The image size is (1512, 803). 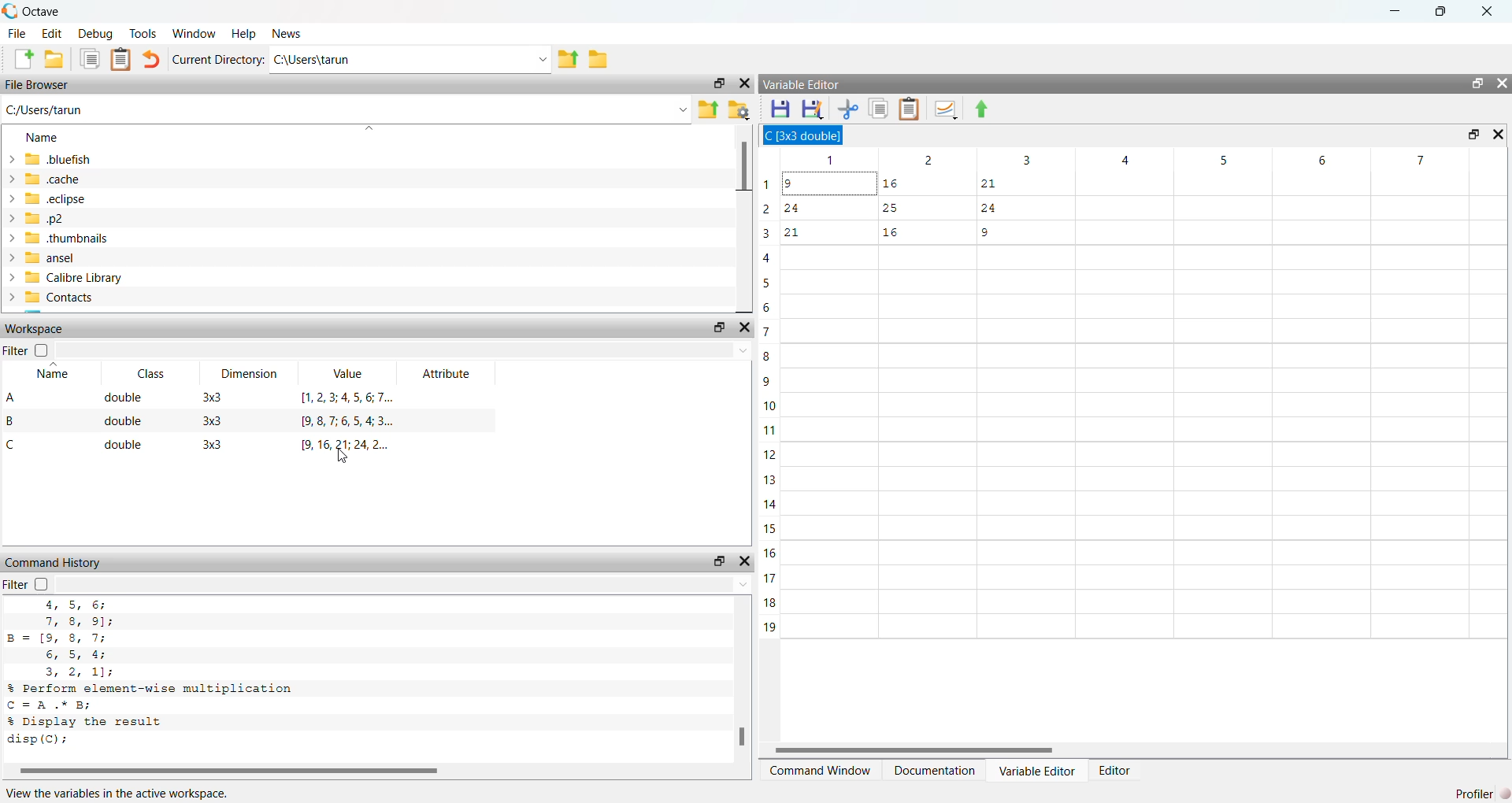 I want to click on Save As, so click(x=813, y=109).